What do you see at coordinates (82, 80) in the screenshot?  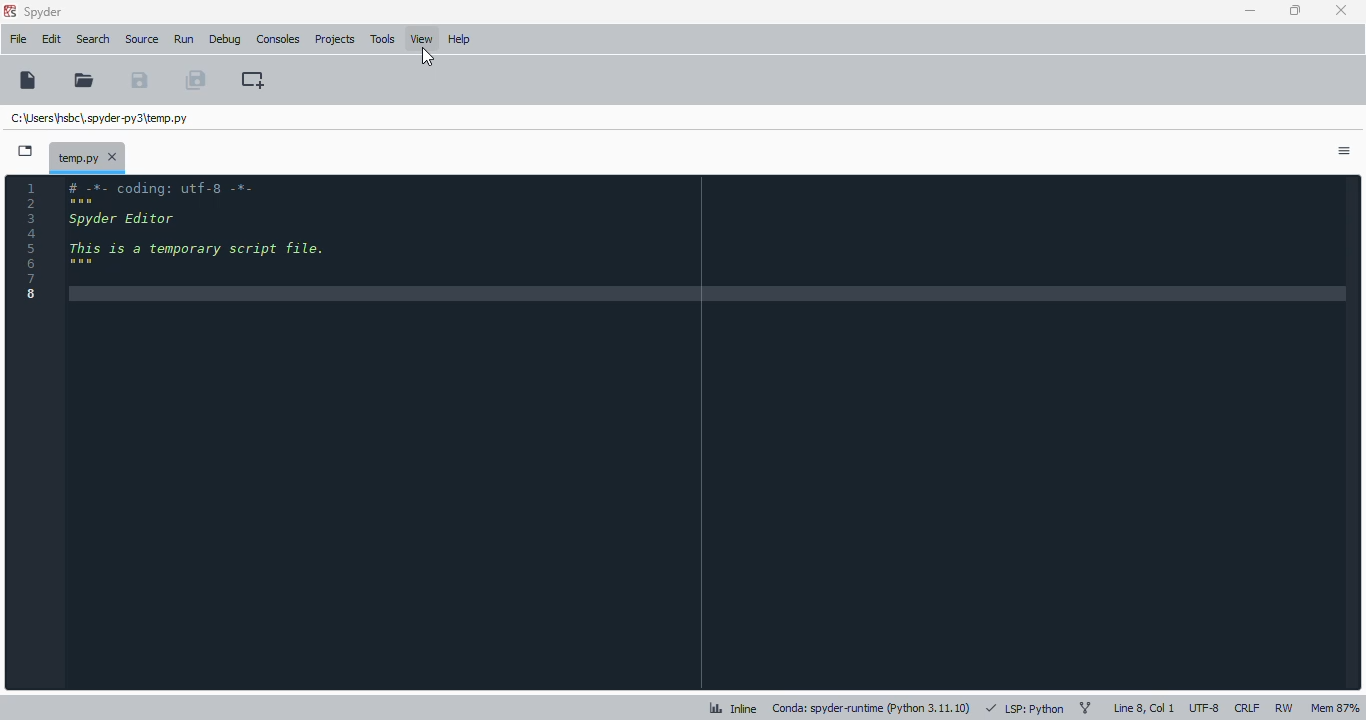 I see `open file` at bounding box center [82, 80].